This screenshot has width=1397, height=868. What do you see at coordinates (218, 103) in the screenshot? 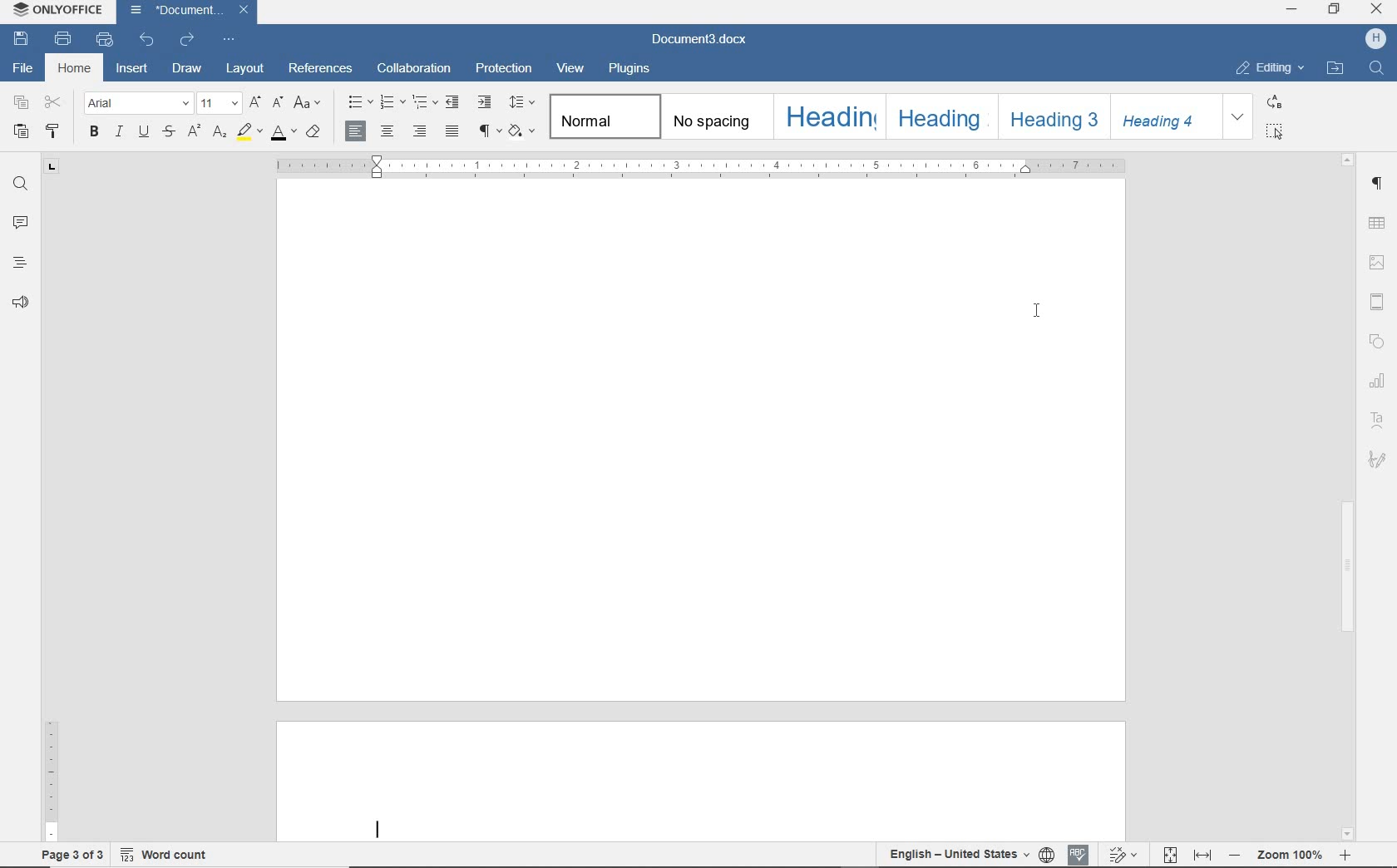
I see `FONT SIZE` at bounding box center [218, 103].